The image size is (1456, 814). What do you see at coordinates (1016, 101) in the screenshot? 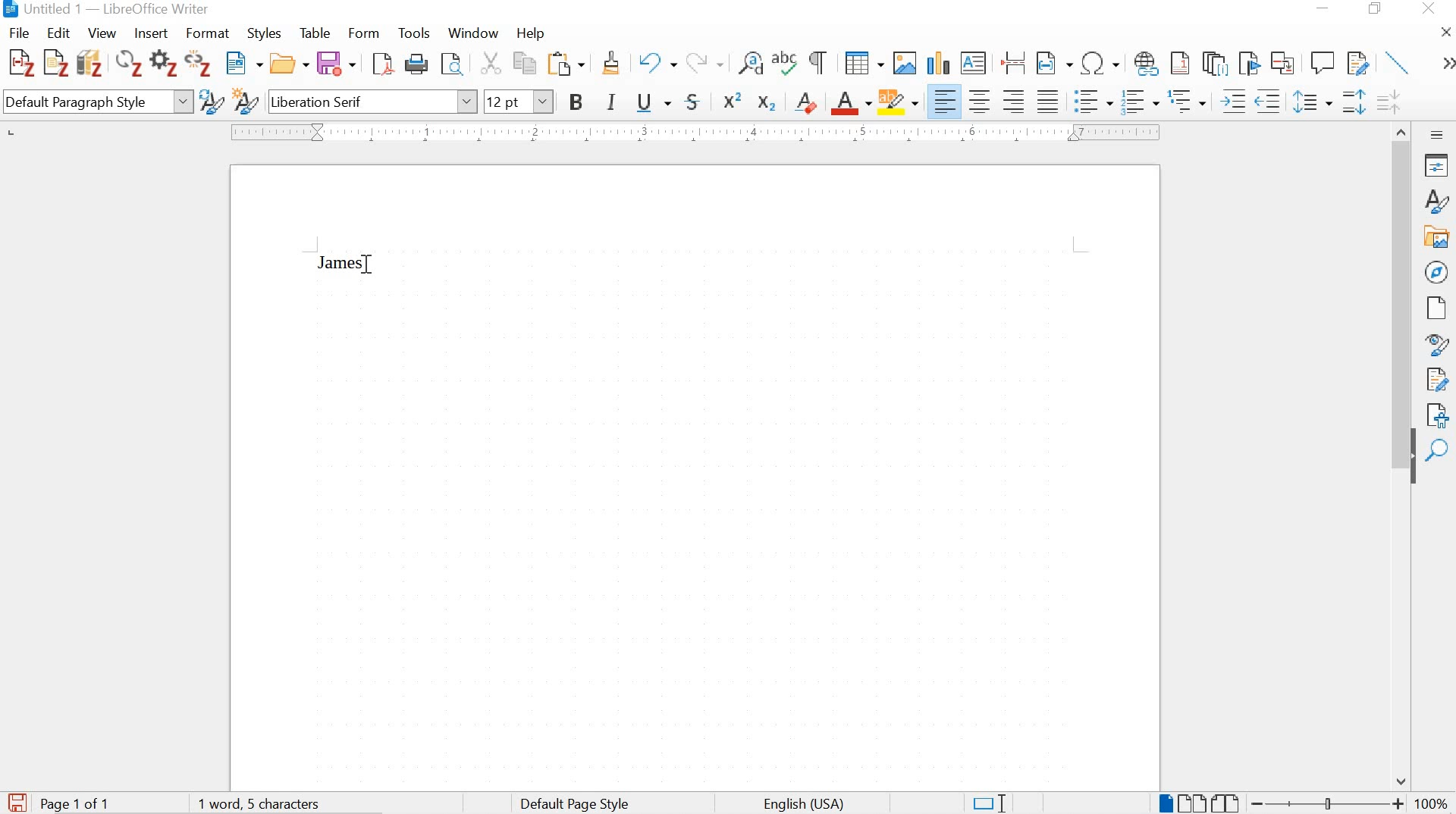
I see `align right` at bounding box center [1016, 101].